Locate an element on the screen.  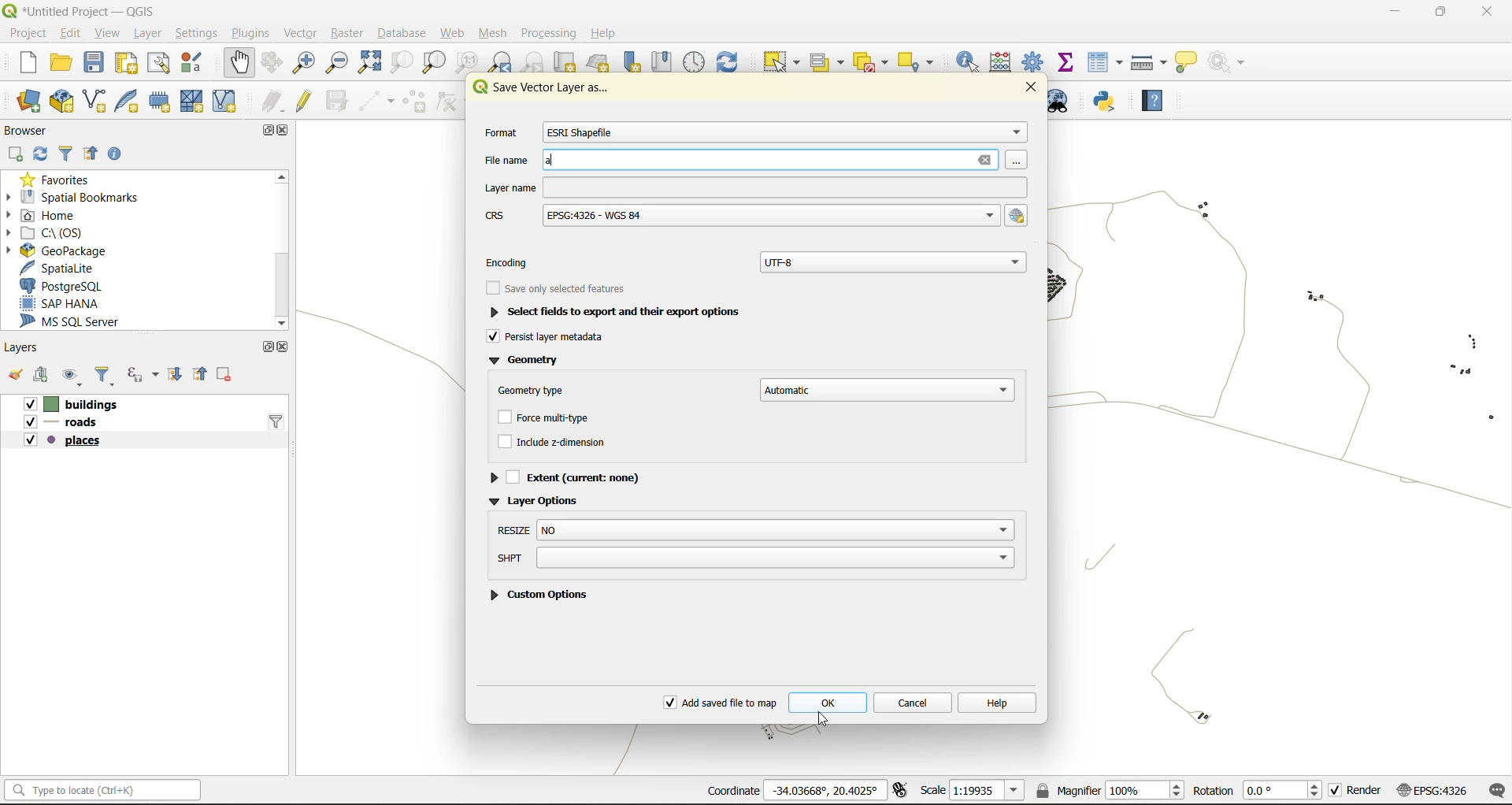
toggle edits is located at coordinates (309, 99).